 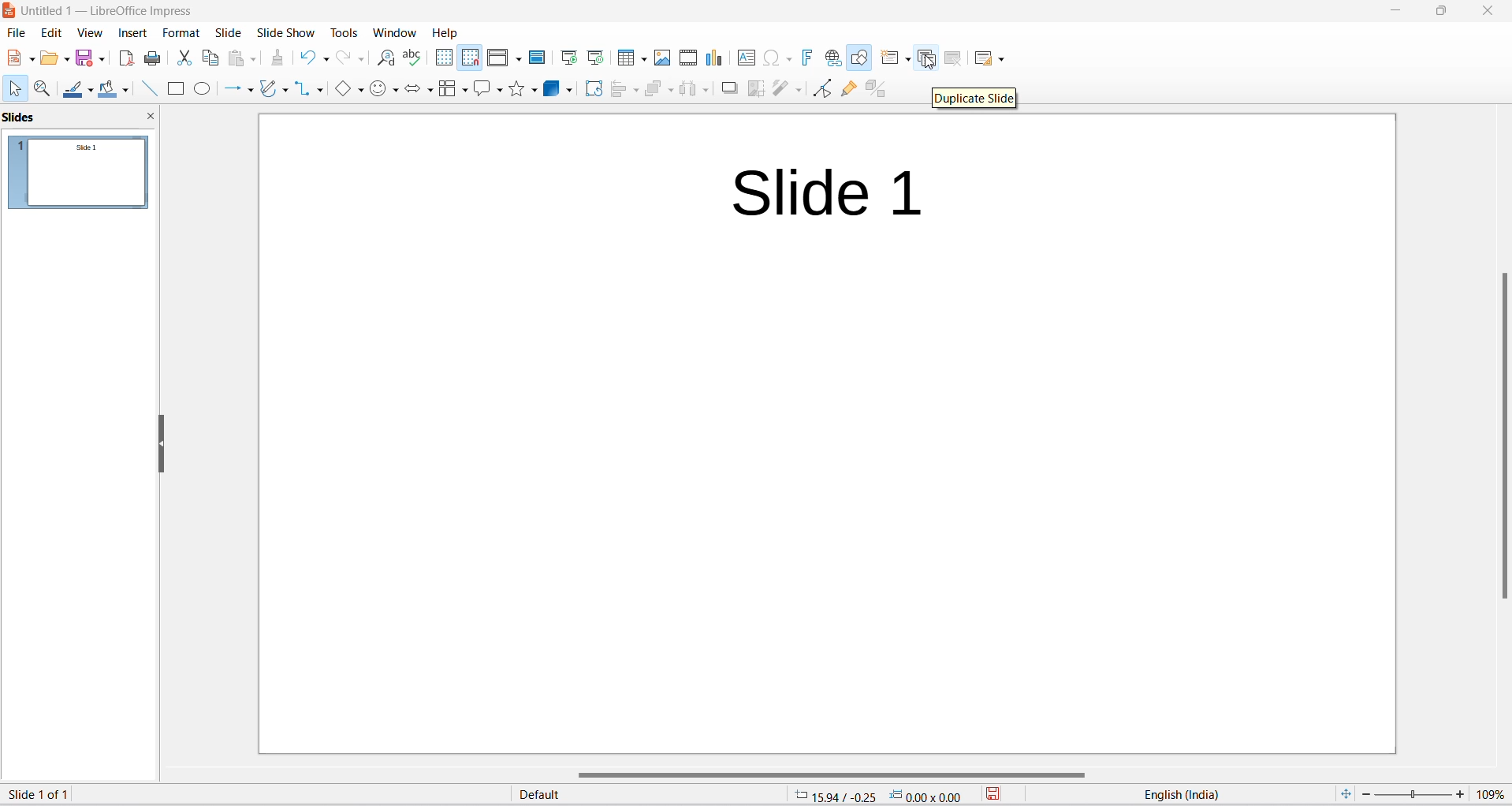 I want to click on hover text "duplicate slide", so click(x=975, y=96).